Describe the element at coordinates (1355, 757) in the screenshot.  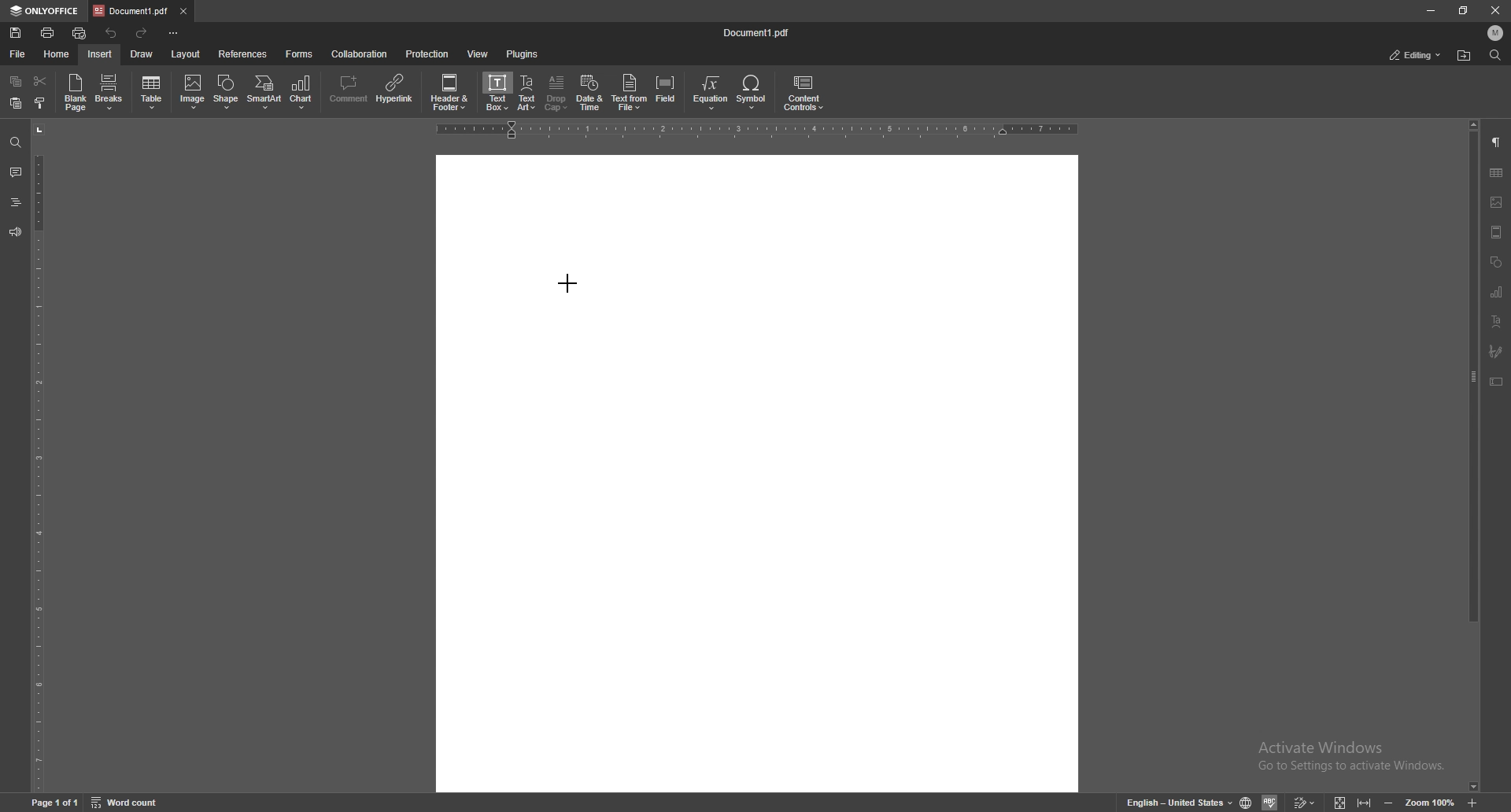
I see `Activate Windows
Go to Settings to activate Windows.` at that location.